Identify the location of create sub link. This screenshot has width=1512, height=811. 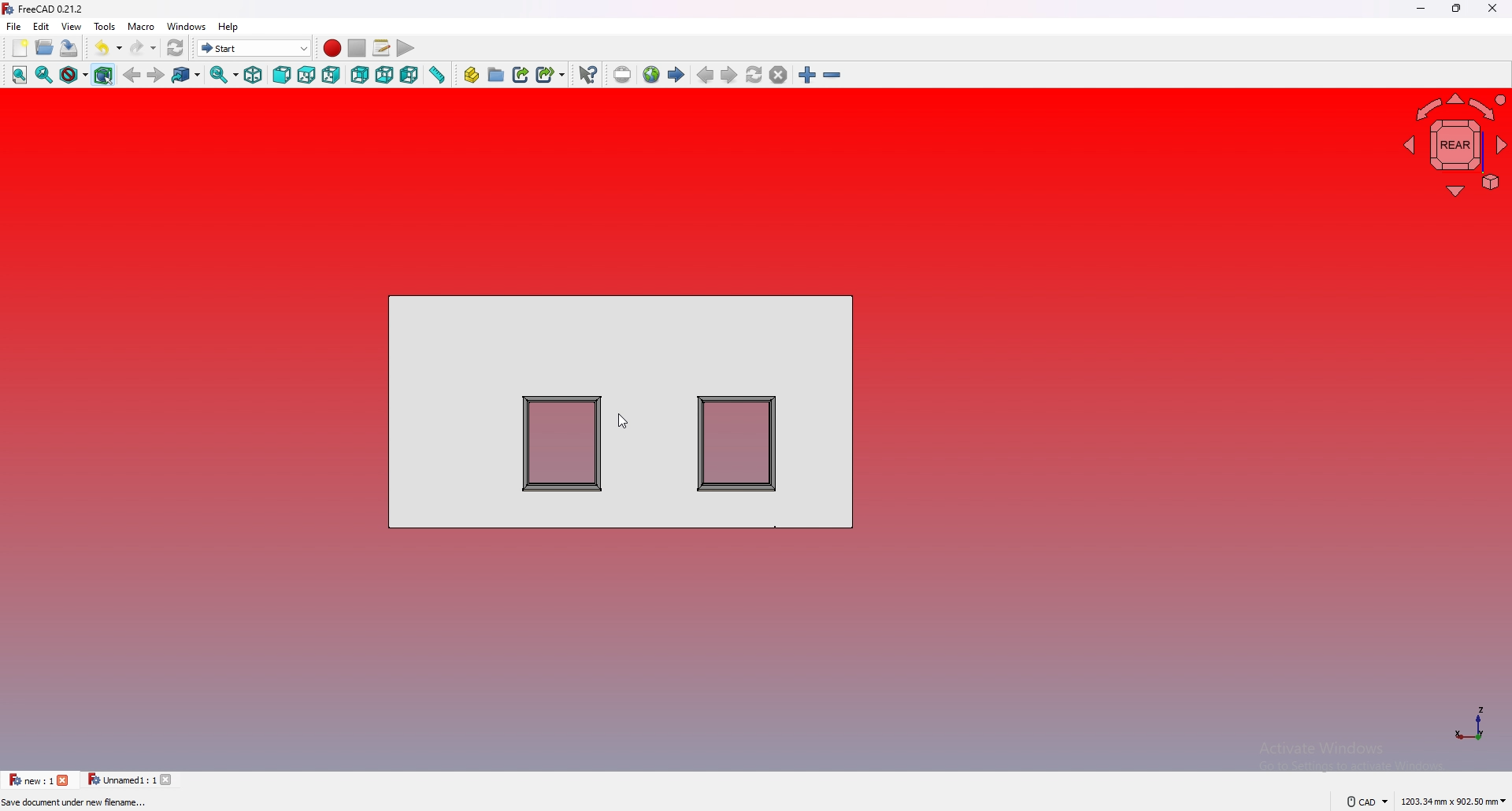
(550, 75).